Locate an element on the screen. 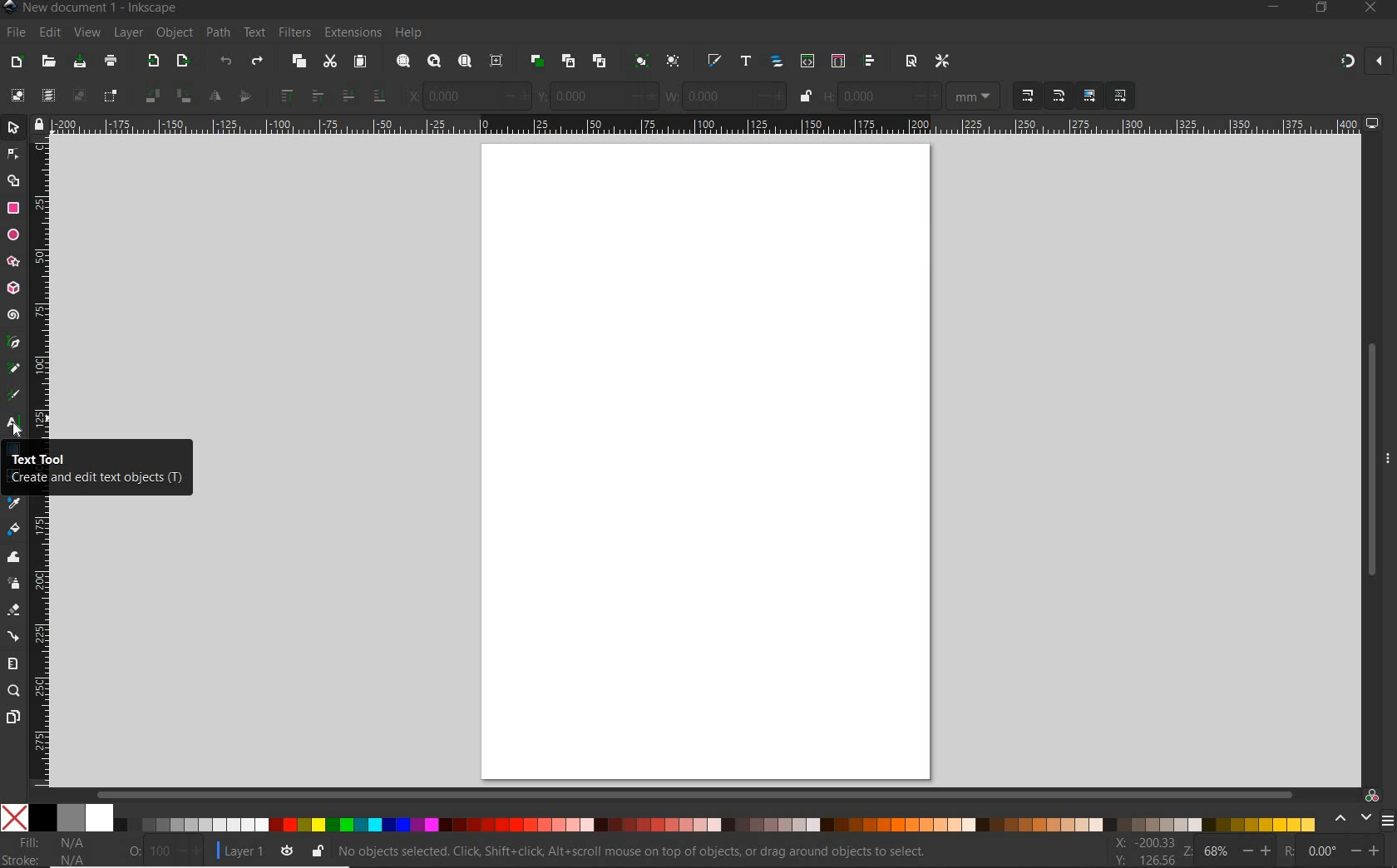  ellipse is located at coordinates (13, 235).